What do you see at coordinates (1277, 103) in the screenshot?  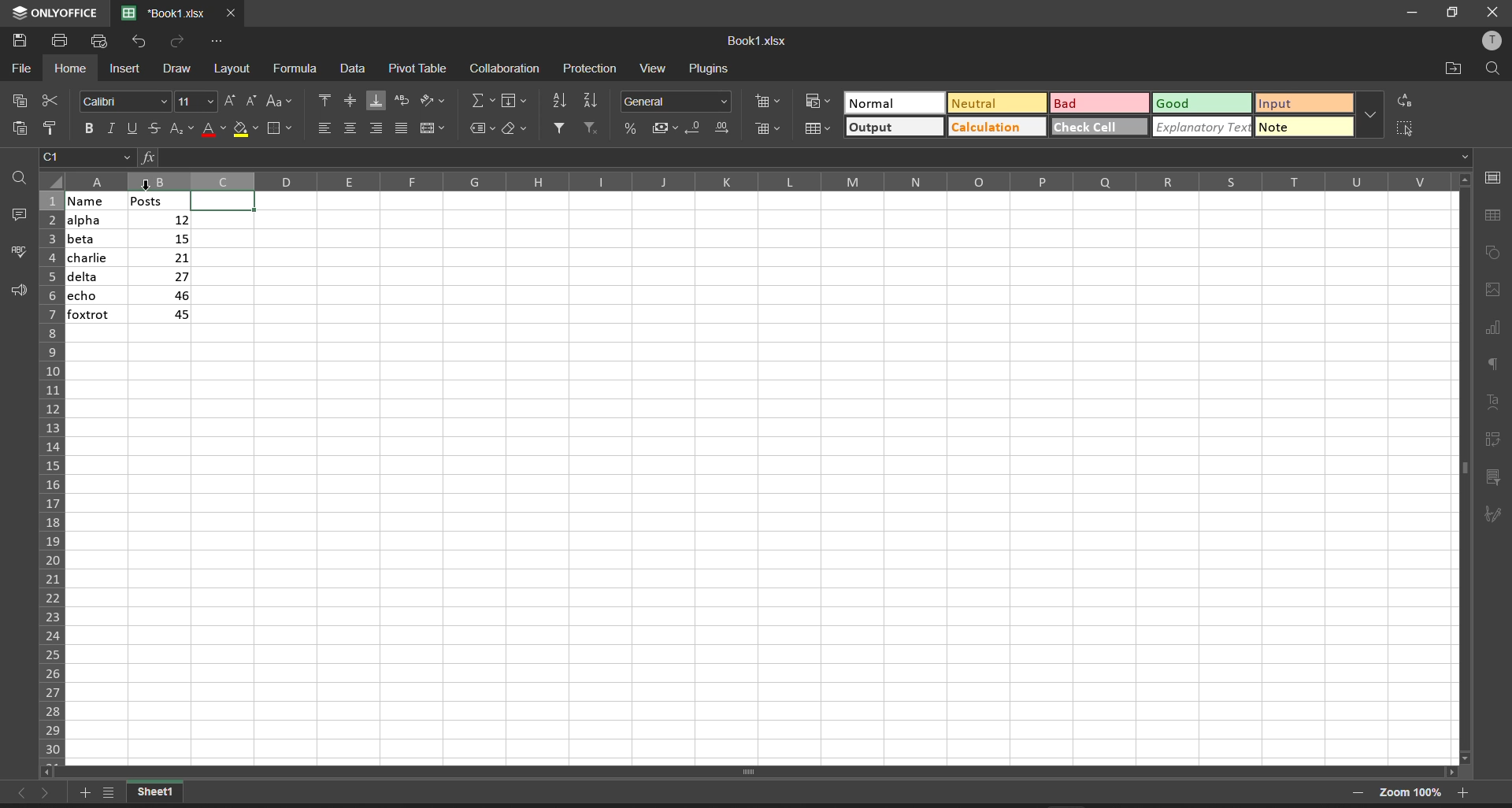 I see `input` at bounding box center [1277, 103].